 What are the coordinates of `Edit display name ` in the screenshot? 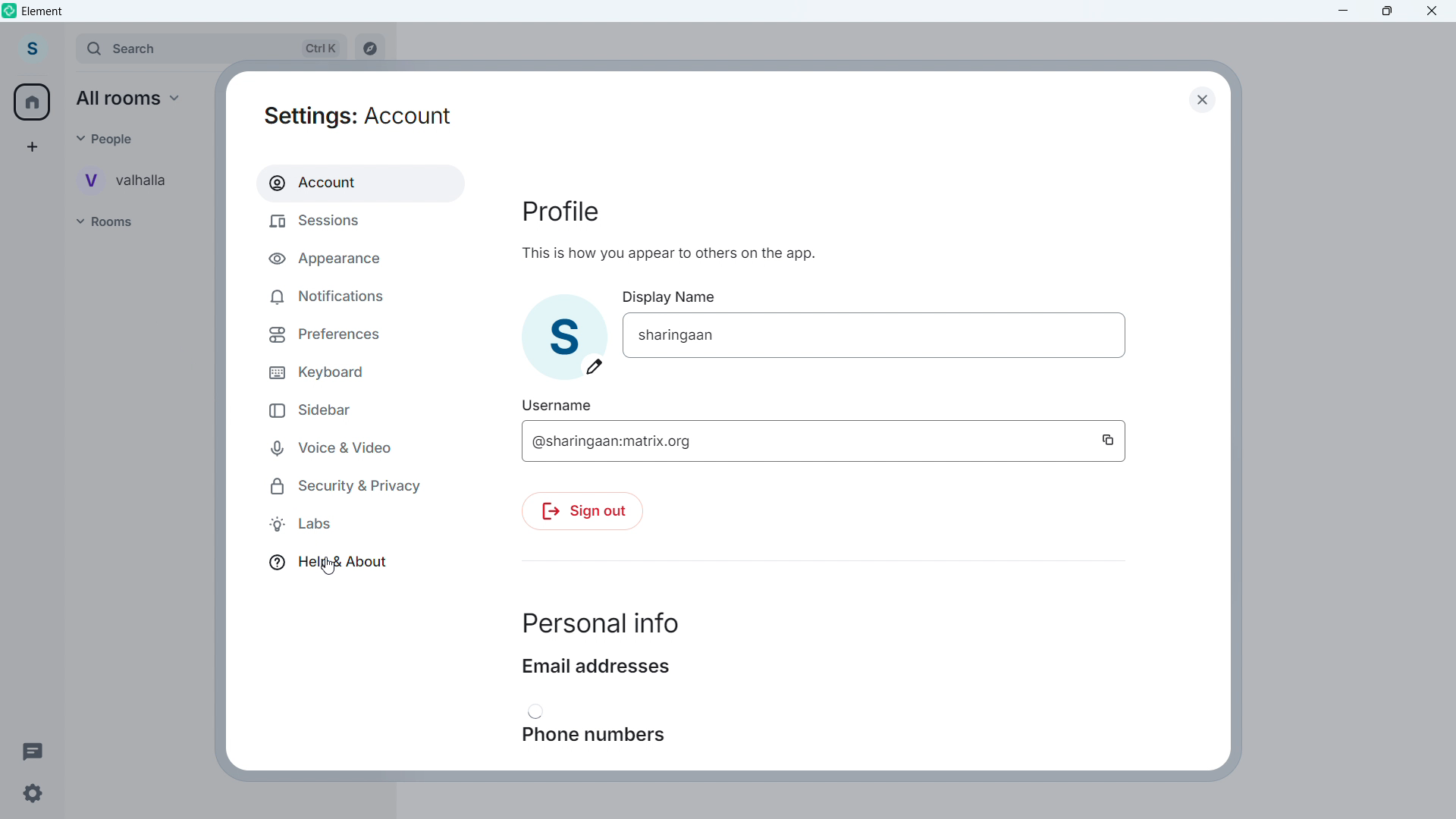 It's located at (874, 335).